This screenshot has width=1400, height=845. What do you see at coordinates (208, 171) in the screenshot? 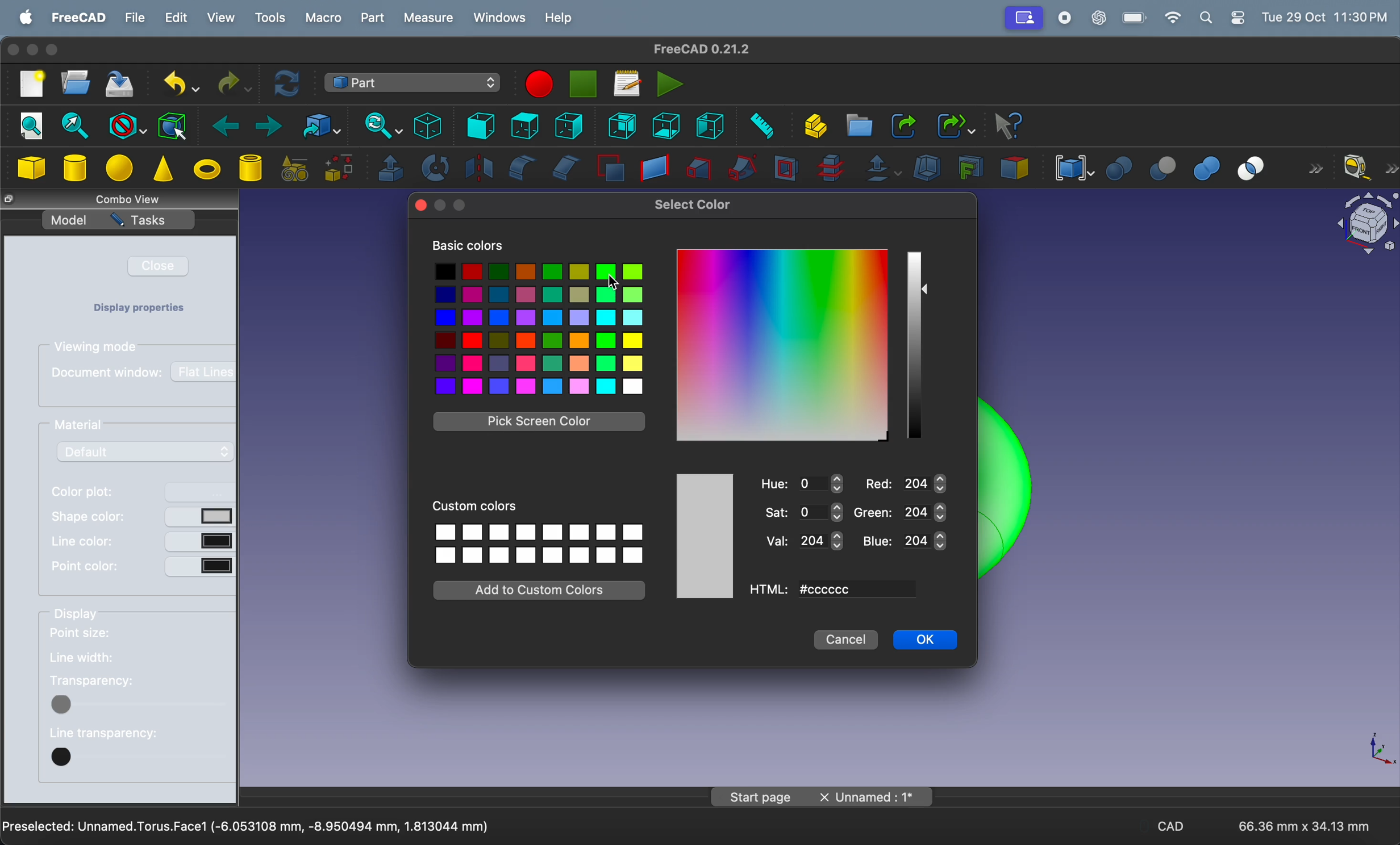
I see `torus` at bounding box center [208, 171].